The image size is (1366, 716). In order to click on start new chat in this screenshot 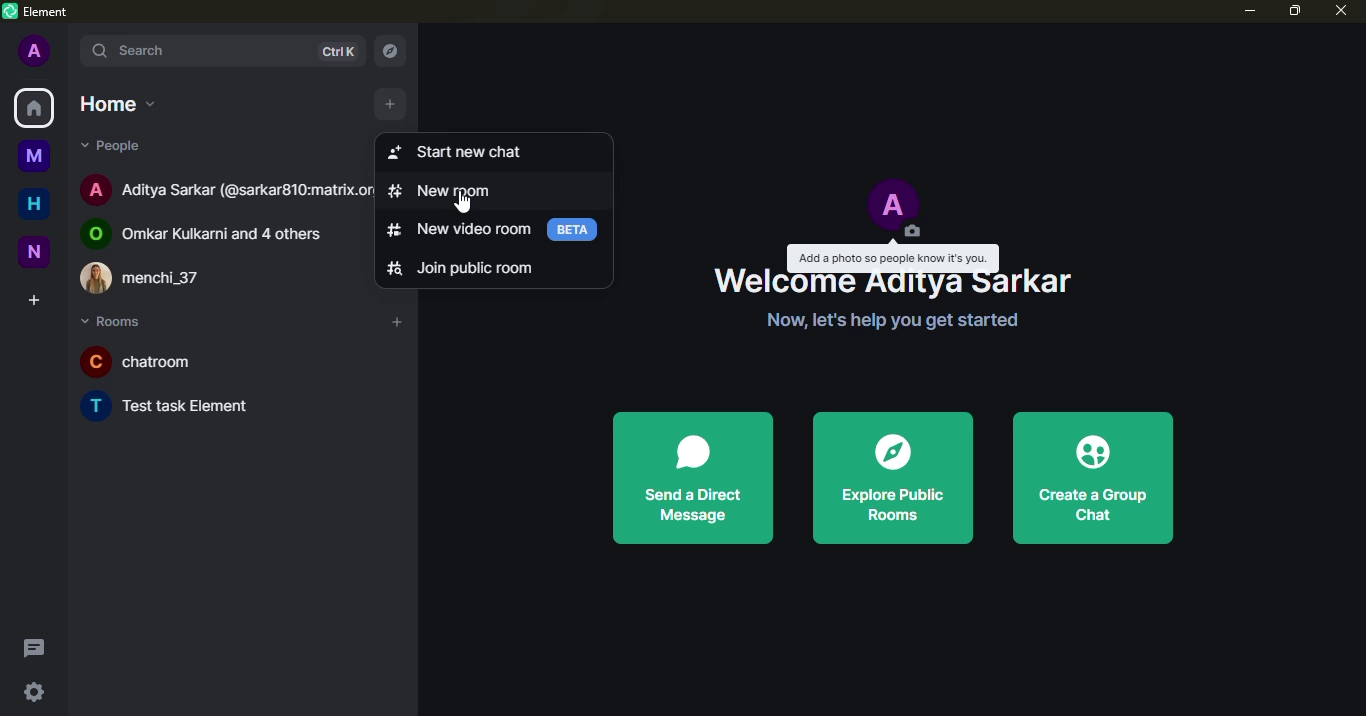, I will do `click(456, 151)`.